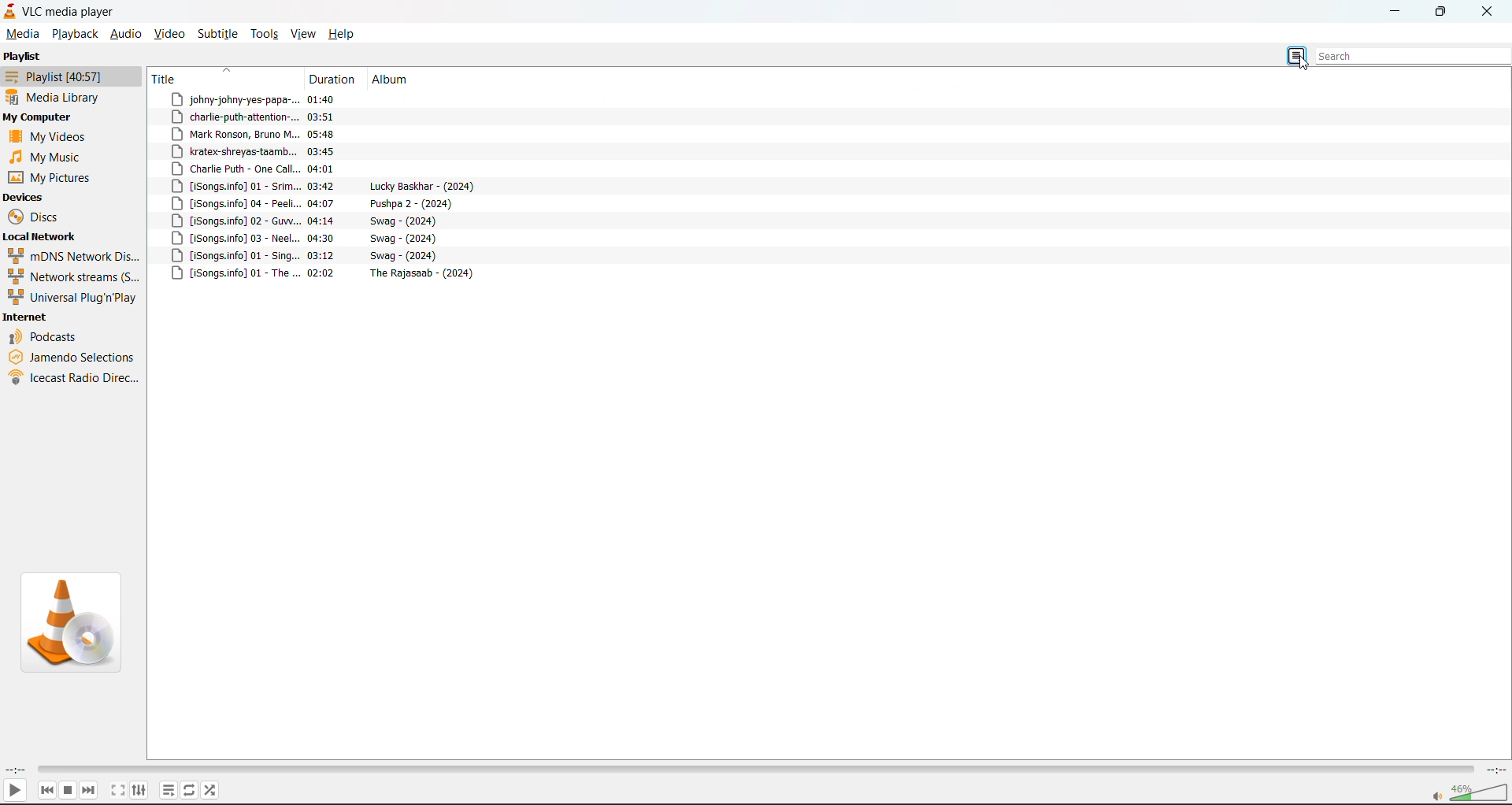 The image size is (1512, 805). I want to click on playlist, so click(169, 788).